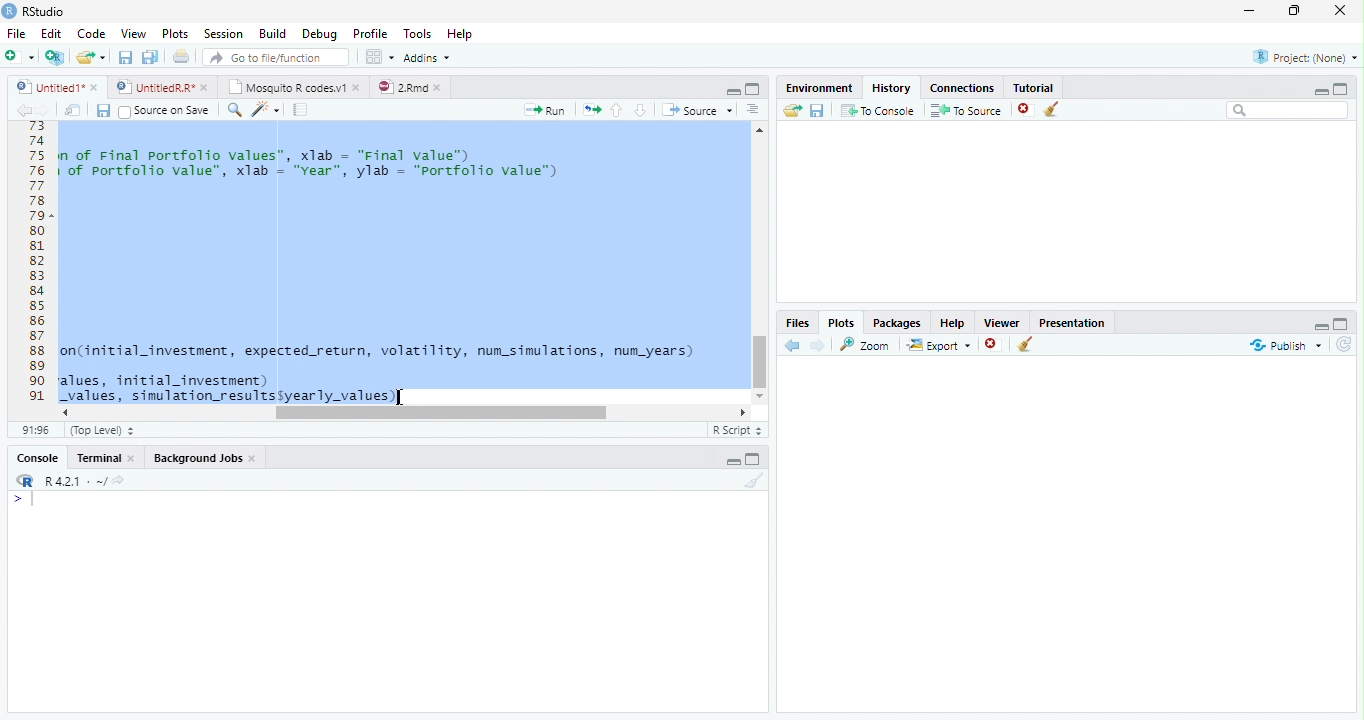 The height and width of the screenshot is (720, 1364). Describe the element at coordinates (756, 458) in the screenshot. I see `Full Height` at that location.